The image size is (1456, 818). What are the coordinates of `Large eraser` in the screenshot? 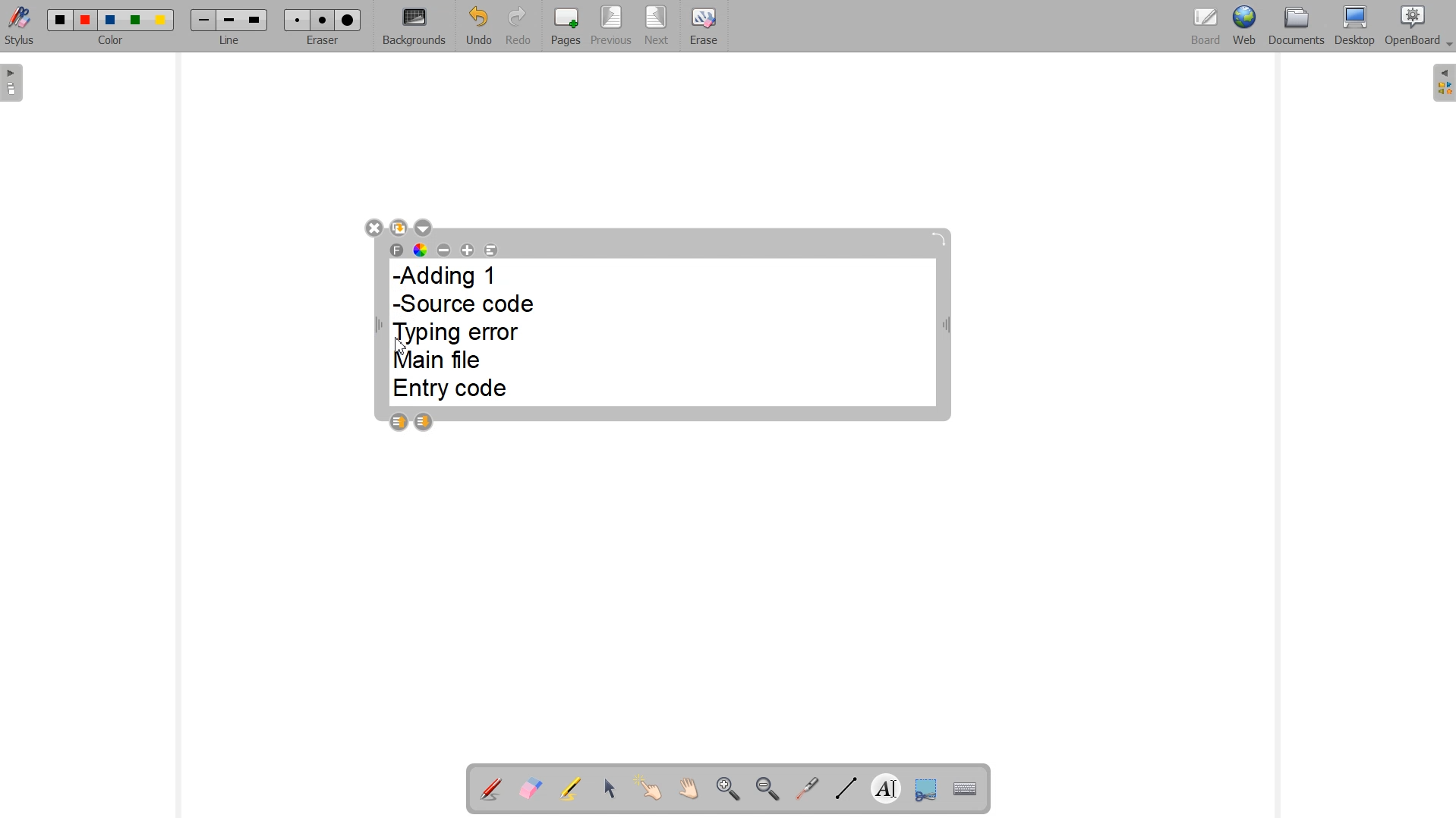 It's located at (348, 20).